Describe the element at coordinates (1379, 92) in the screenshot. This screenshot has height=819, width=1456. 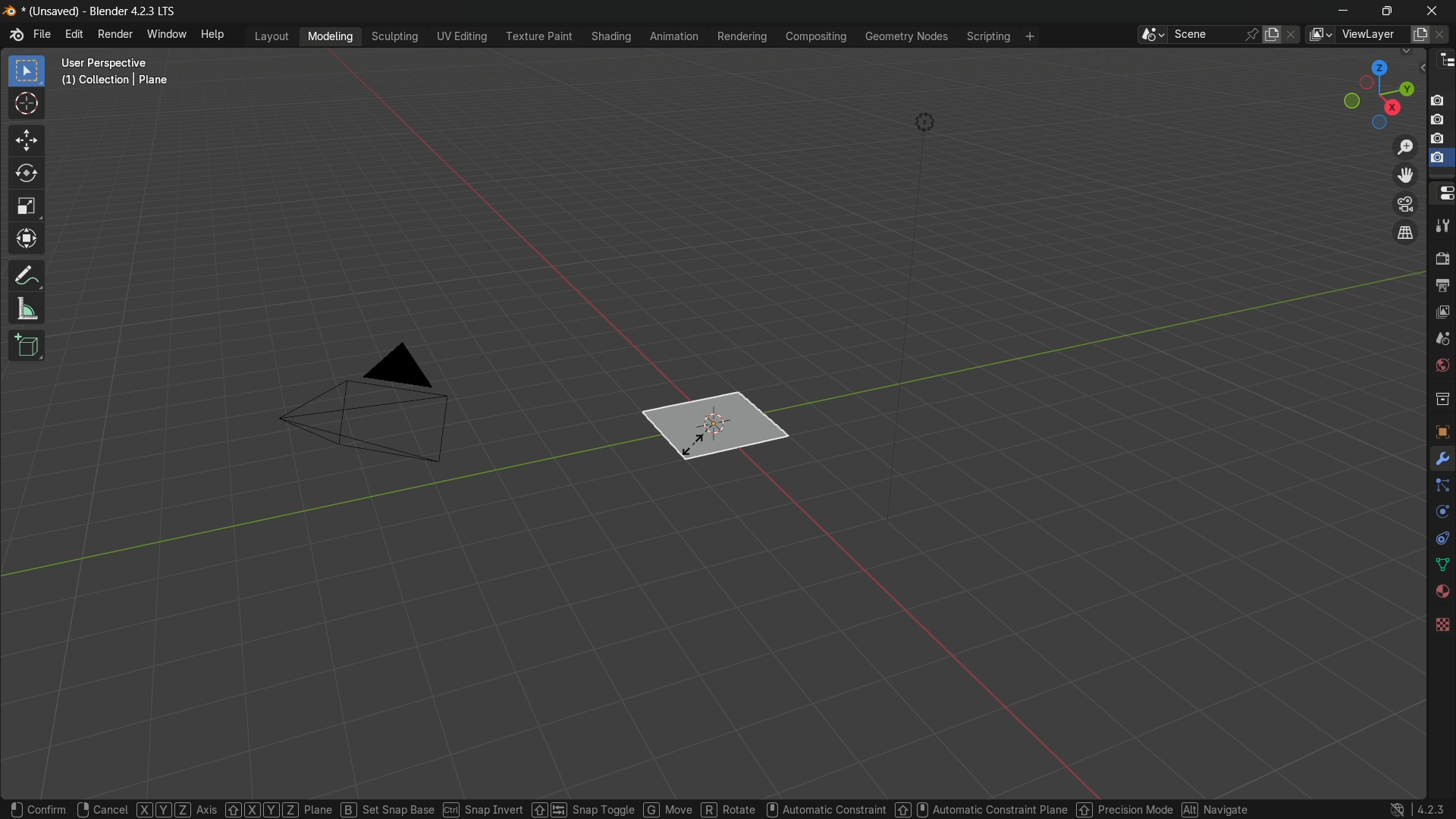
I see `rotate or preset viewpoint` at that location.